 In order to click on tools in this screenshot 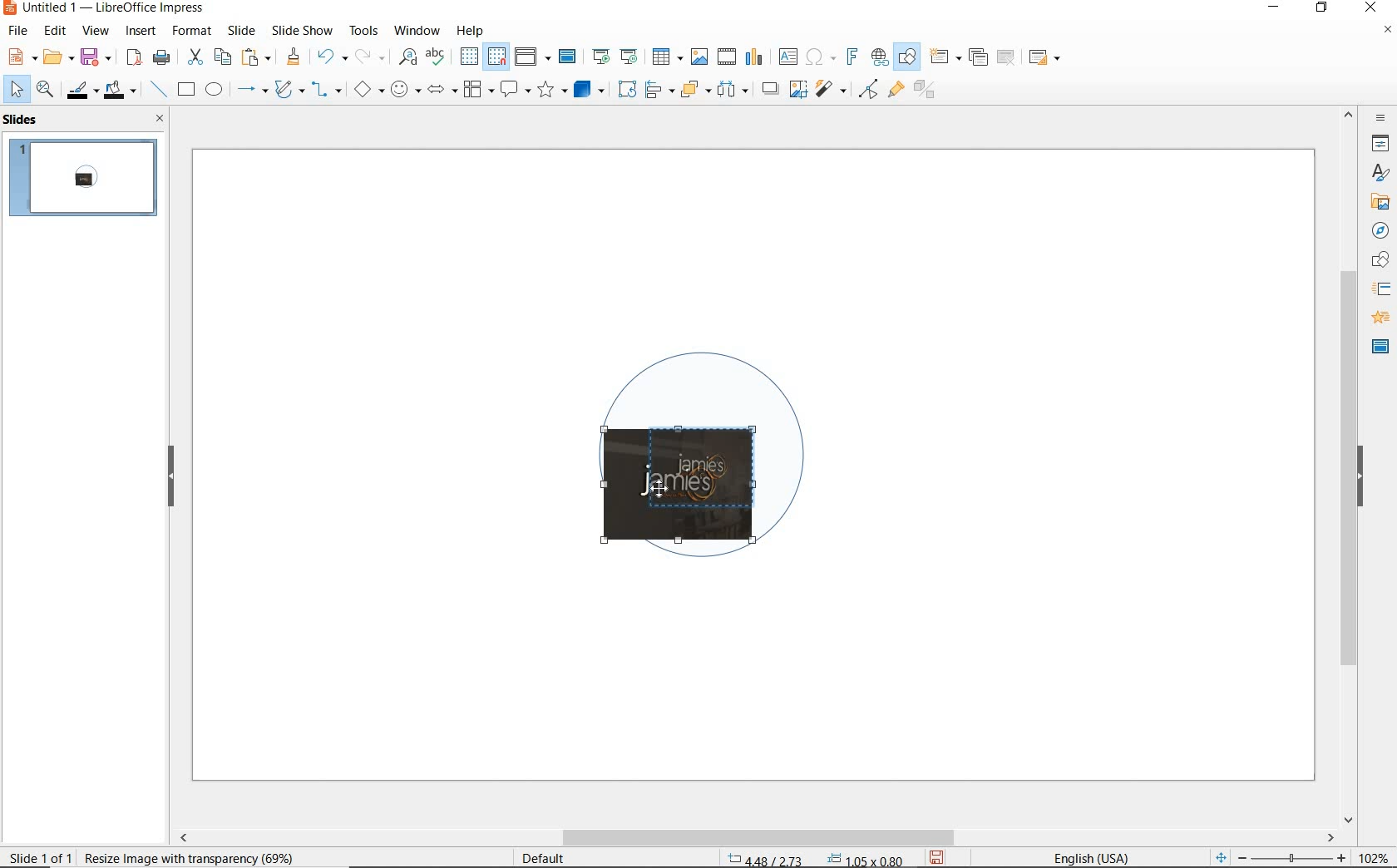, I will do `click(363, 30)`.